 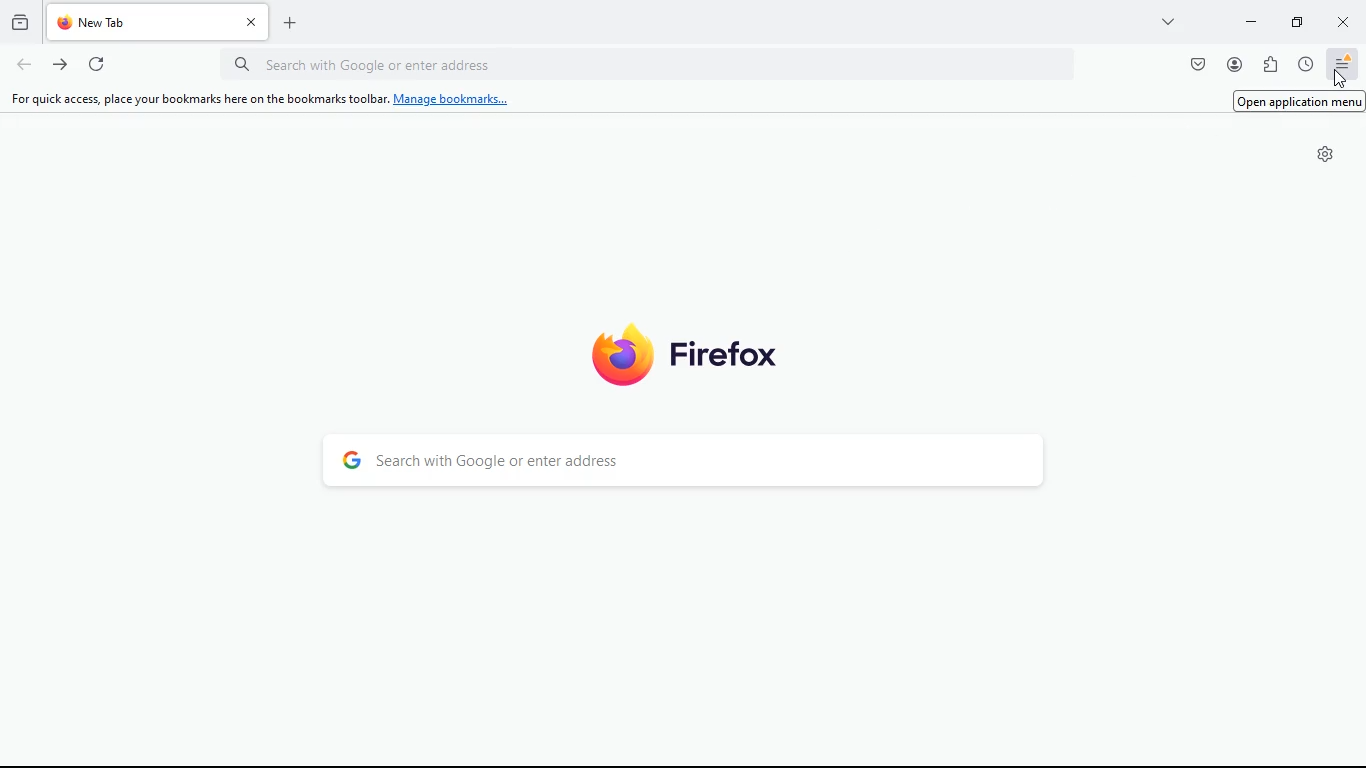 I want to click on Cursor, so click(x=1341, y=77).